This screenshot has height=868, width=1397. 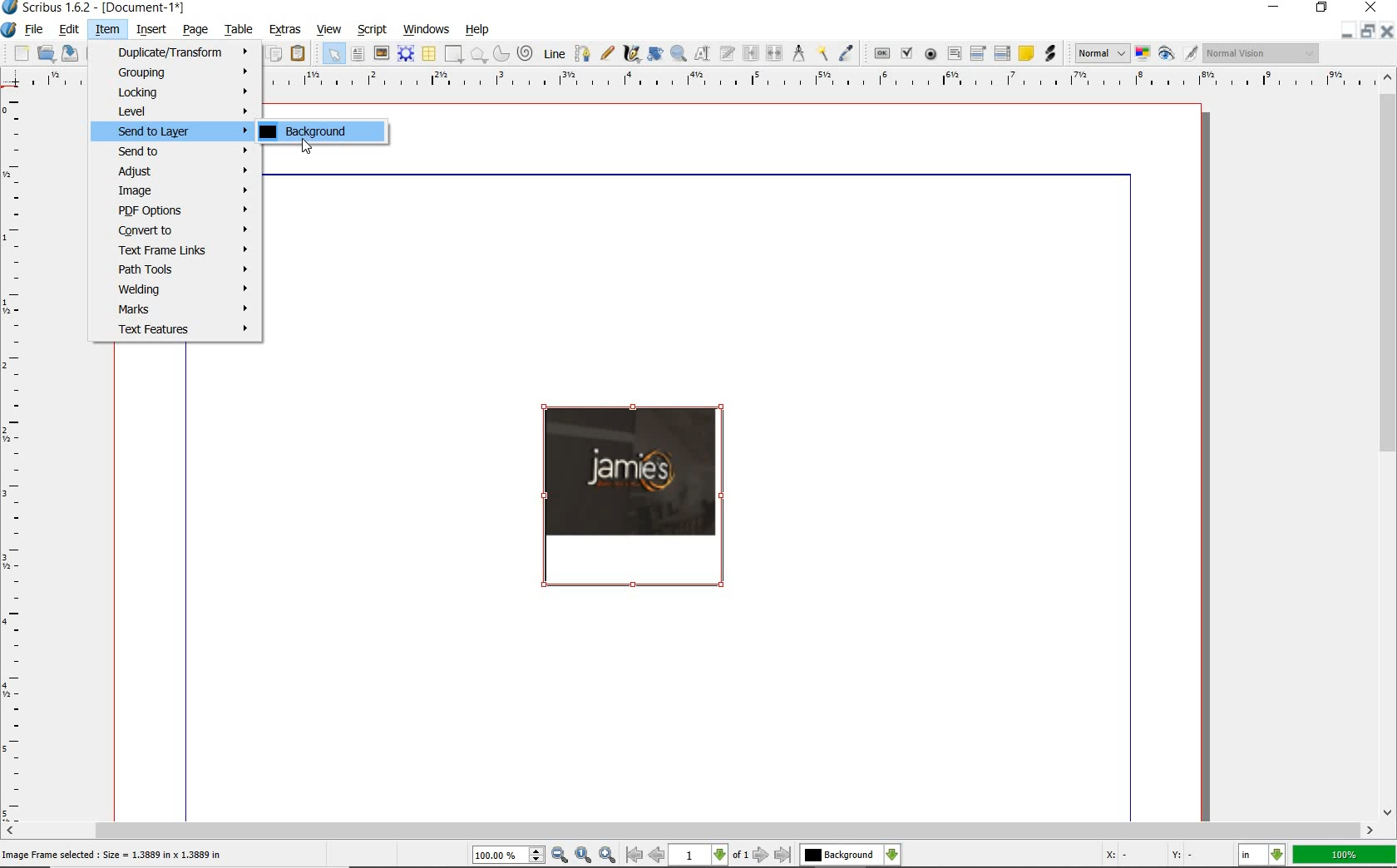 What do you see at coordinates (1261, 853) in the screenshot?
I see `select the current unit: in` at bounding box center [1261, 853].